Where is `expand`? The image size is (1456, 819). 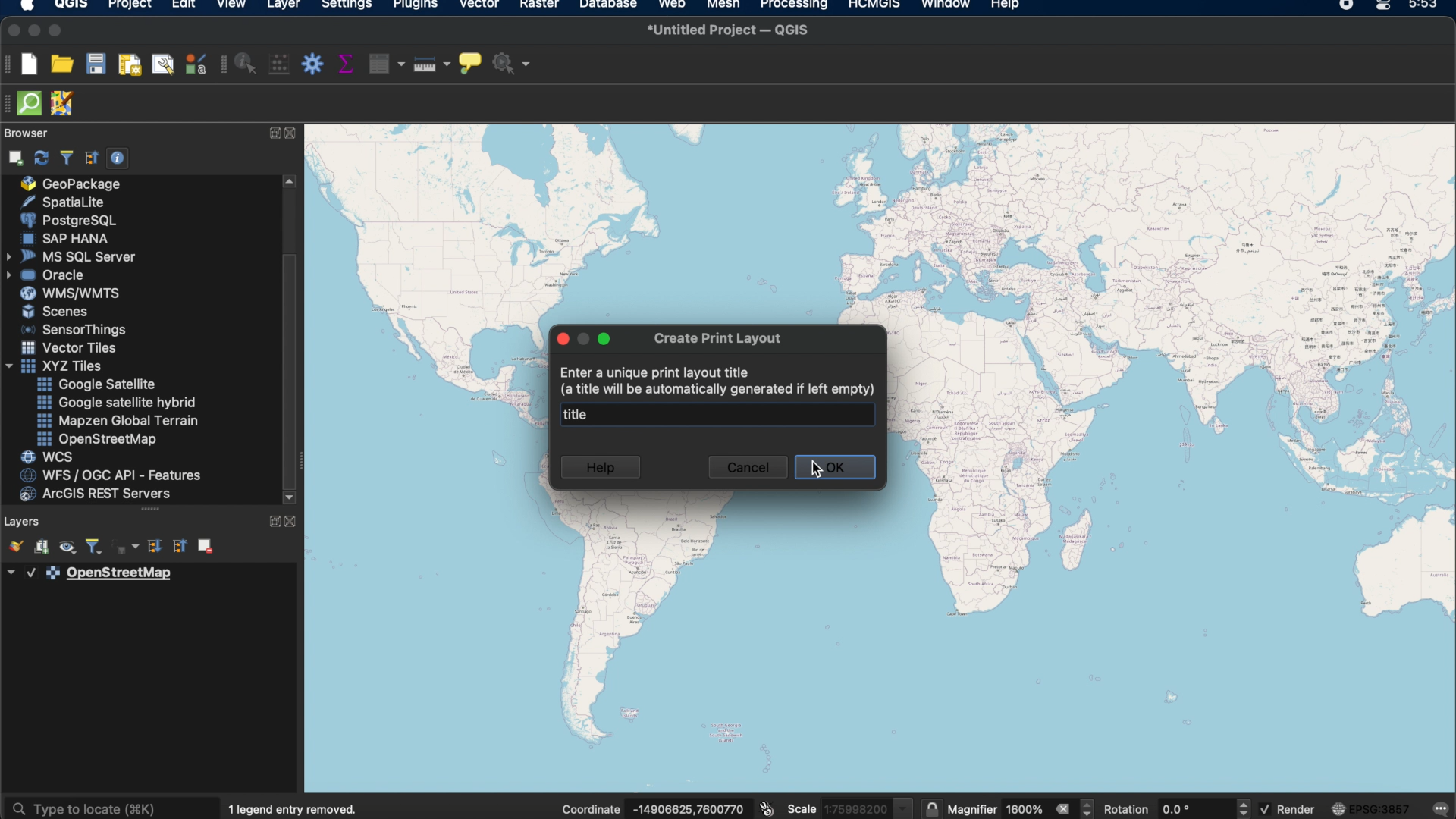
expand is located at coordinates (272, 132).